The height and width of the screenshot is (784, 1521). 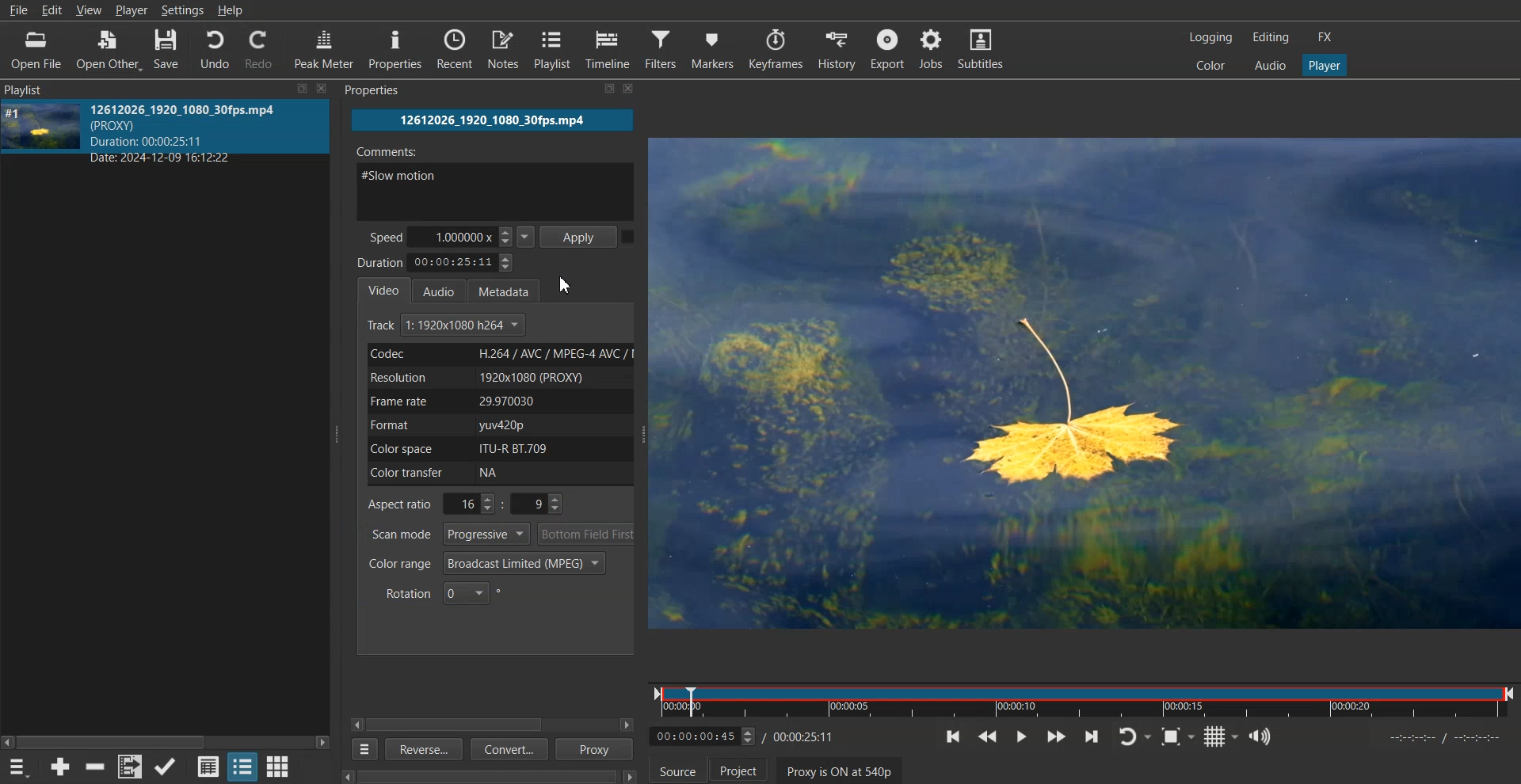 What do you see at coordinates (596, 749) in the screenshot?
I see `Proxy` at bounding box center [596, 749].